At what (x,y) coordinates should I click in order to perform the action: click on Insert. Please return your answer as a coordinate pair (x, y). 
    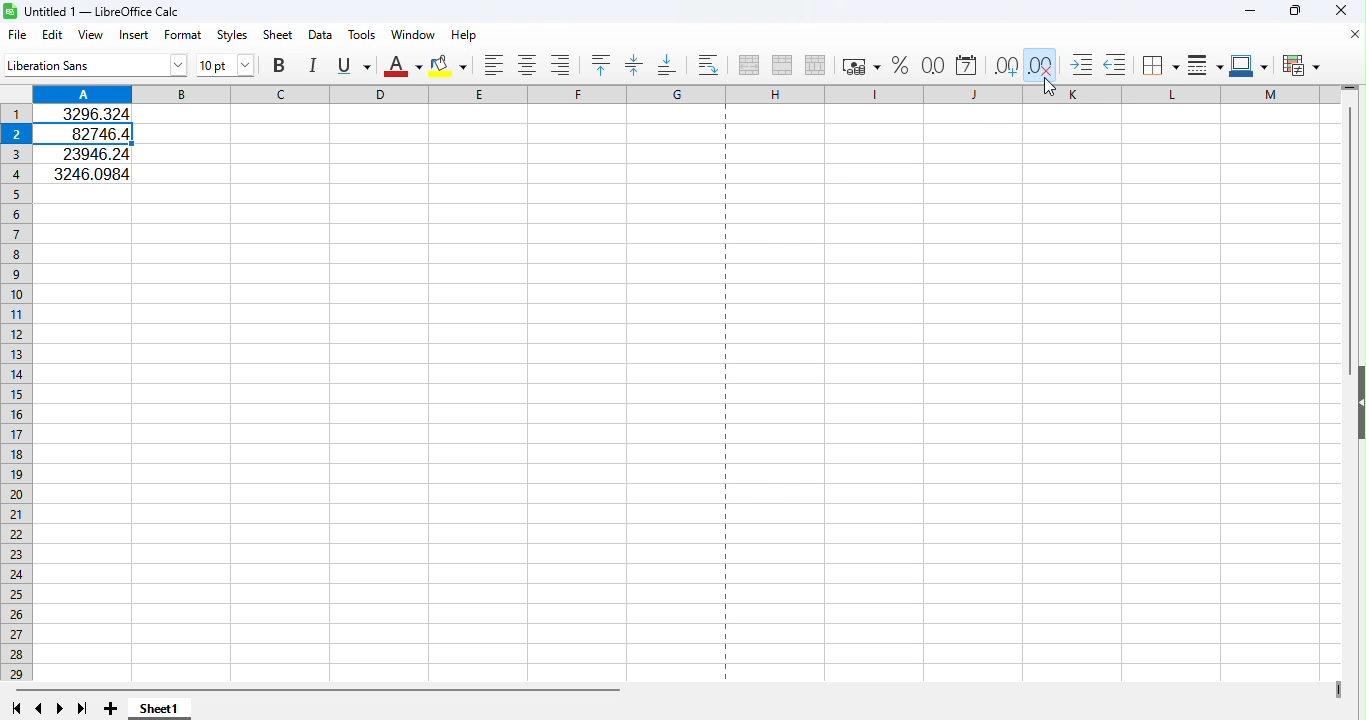
    Looking at the image, I should click on (136, 36).